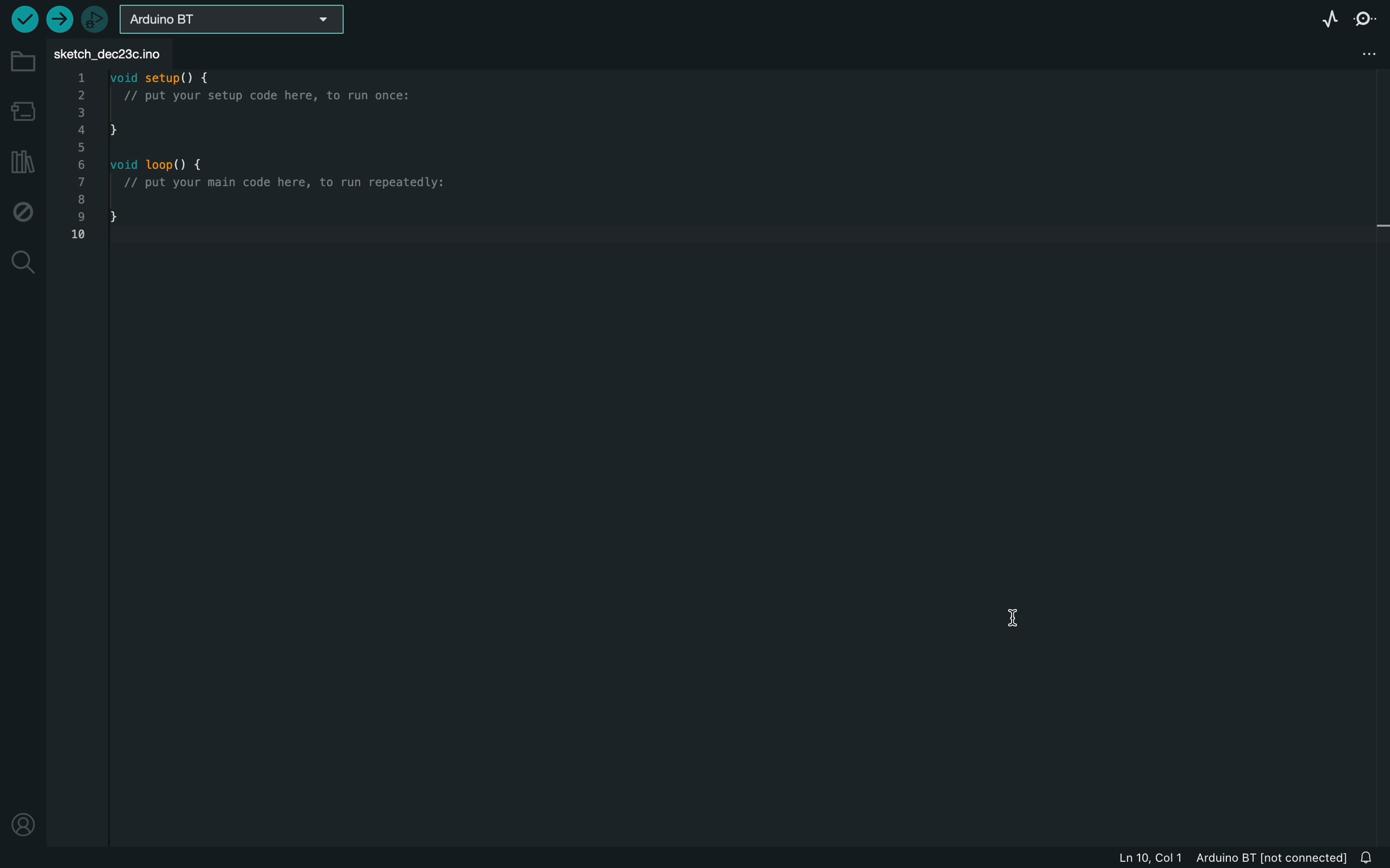 Image resolution: width=1390 pixels, height=868 pixels. I want to click on board manager, so click(25, 110).